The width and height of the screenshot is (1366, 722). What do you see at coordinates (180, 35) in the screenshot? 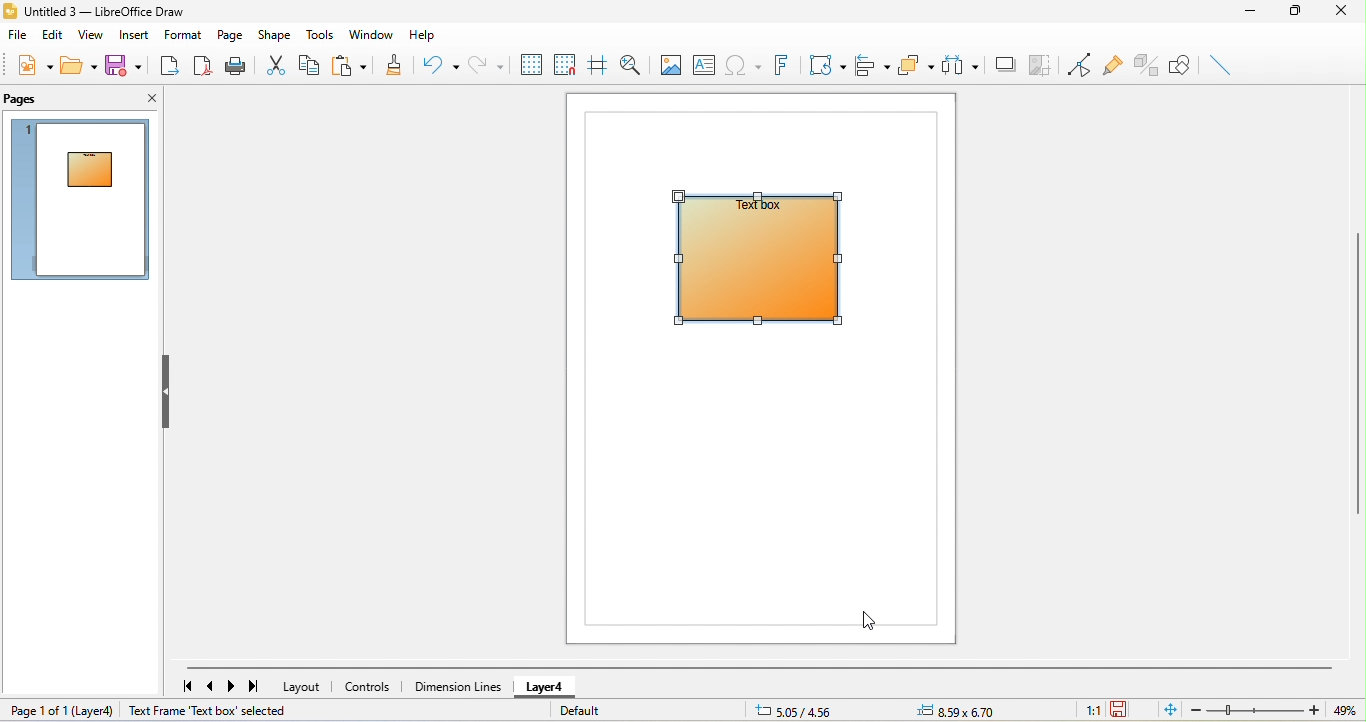
I see `format` at bounding box center [180, 35].